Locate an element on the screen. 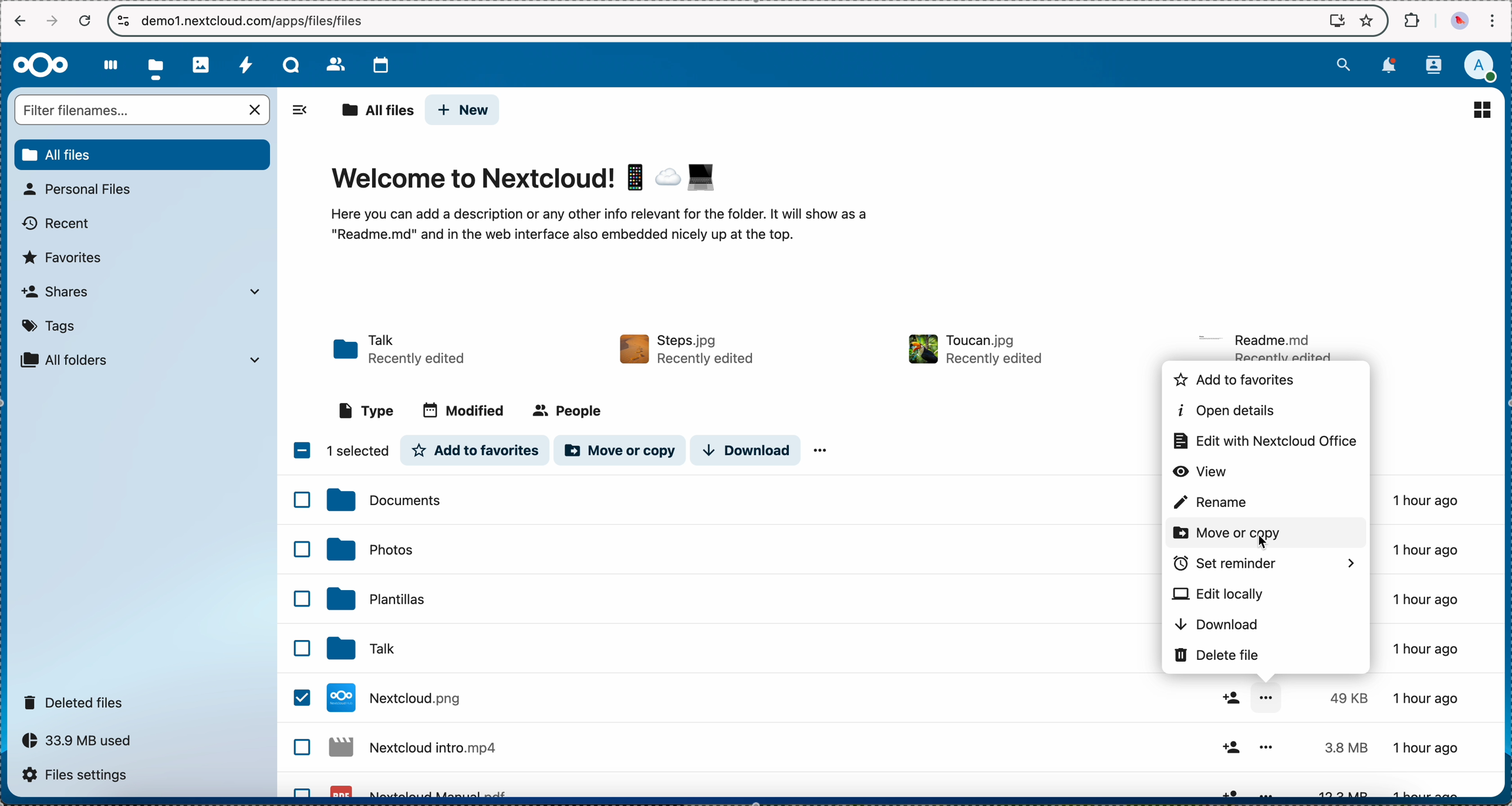 The width and height of the screenshot is (1512, 806). personal files is located at coordinates (84, 189).